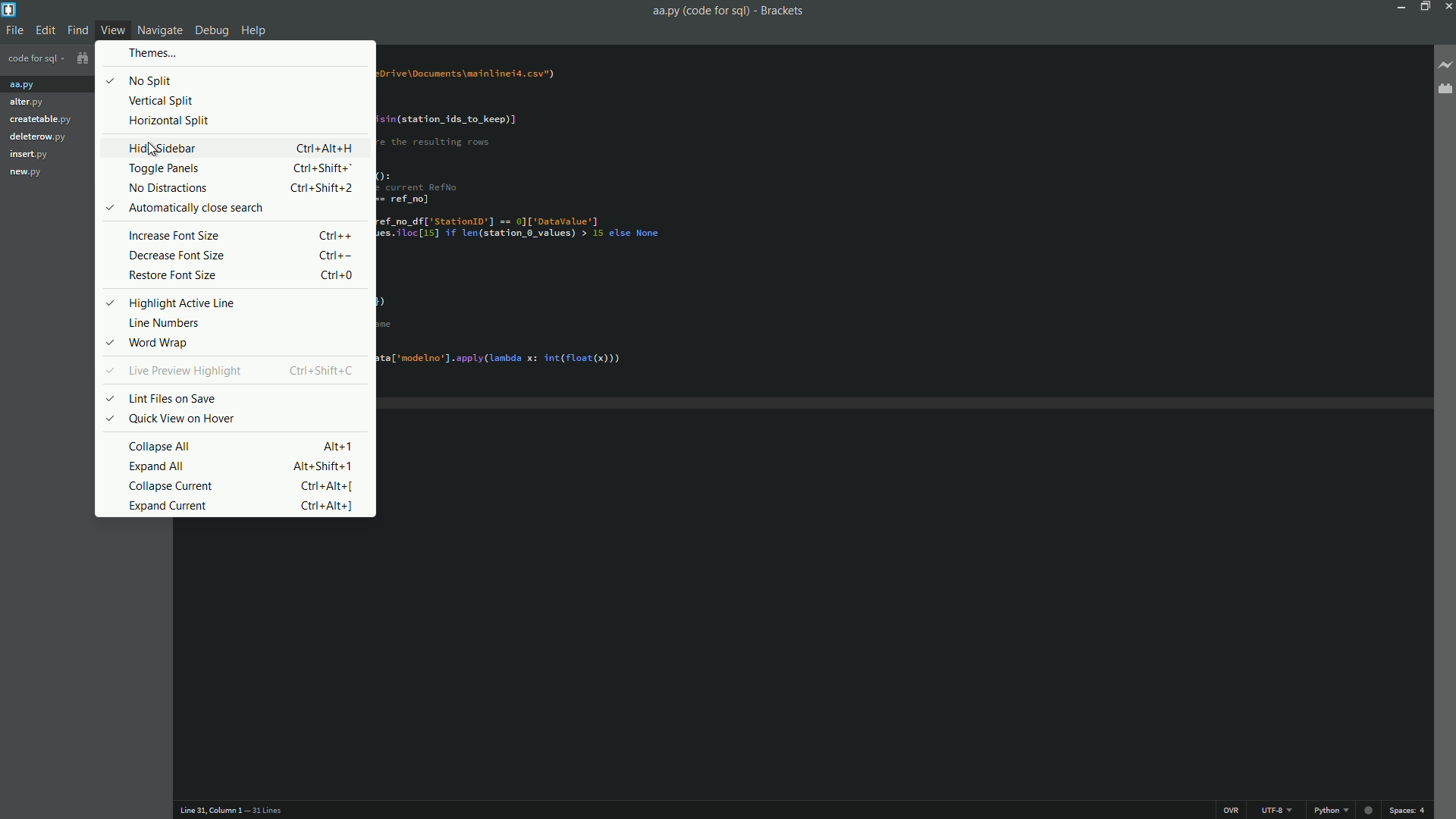 Image resolution: width=1456 pixels, height=819 pixels. What do you see at coordinates (177, 398) in the screenshot?
I see `lint files on save button` at bounding box center [177, 398].